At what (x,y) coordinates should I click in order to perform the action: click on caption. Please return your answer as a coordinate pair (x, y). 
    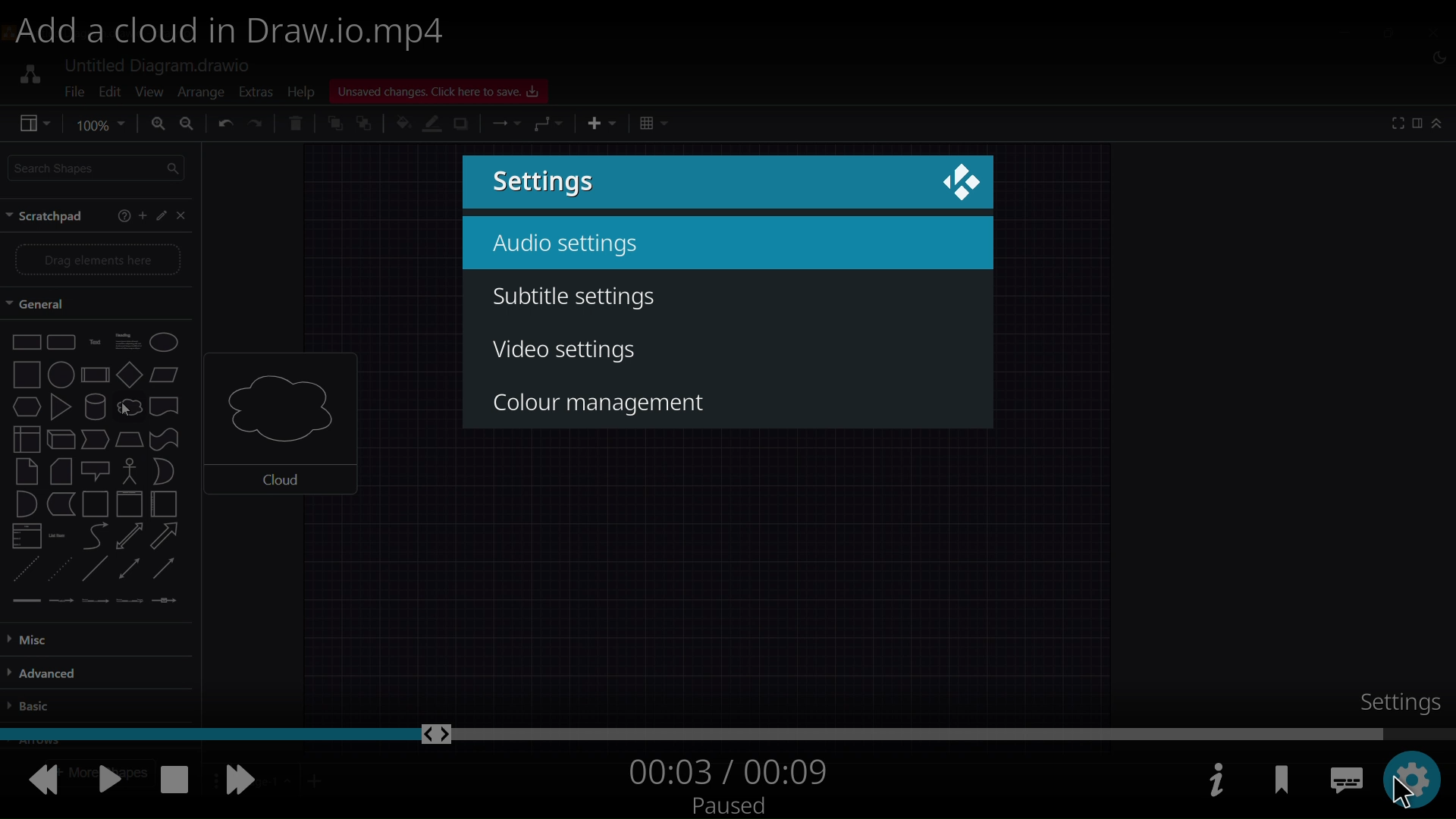
    Looking at the image, I should click on (1345, 773).